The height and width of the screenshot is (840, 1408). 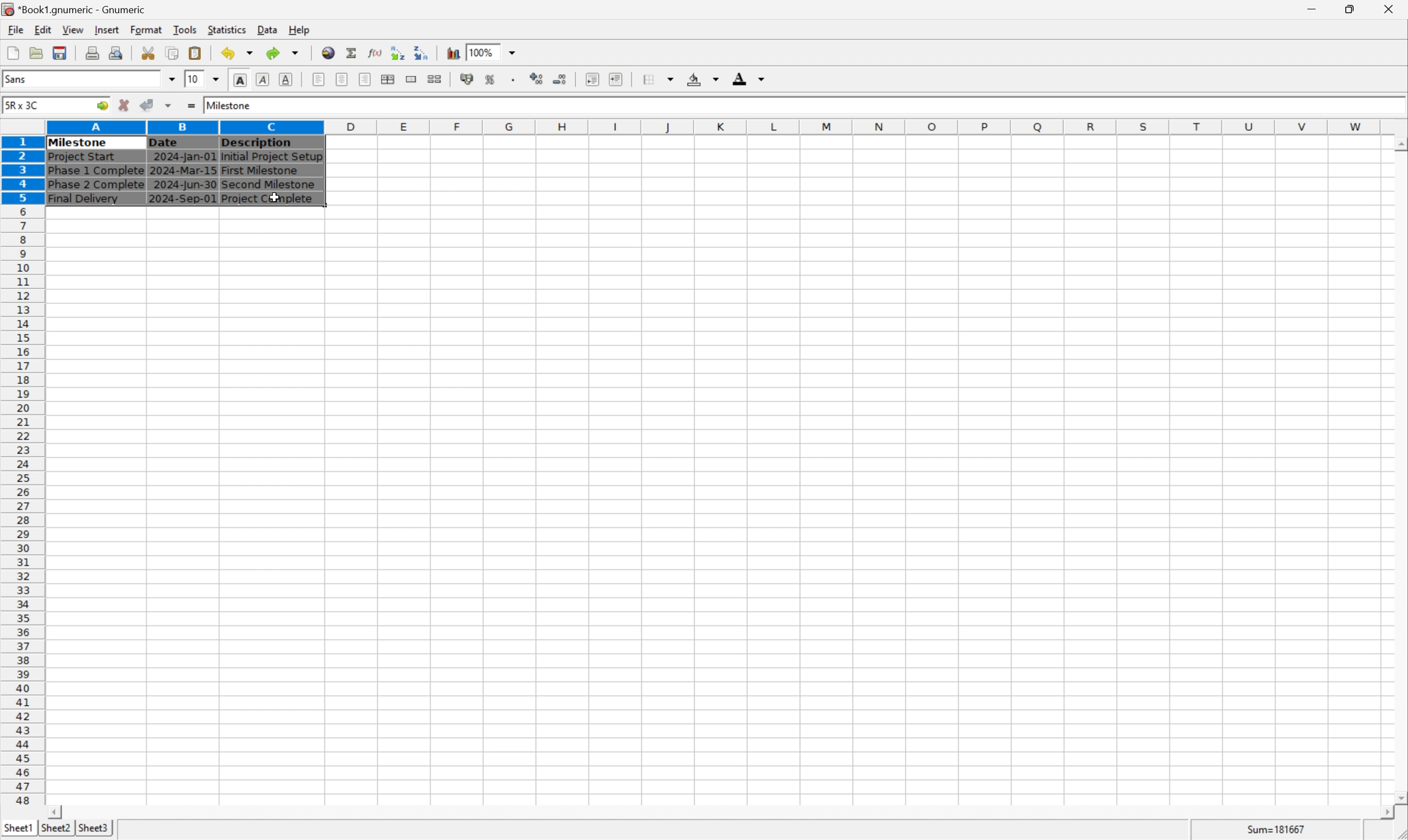 I want to click on print preview, so click(x=92, y=52).